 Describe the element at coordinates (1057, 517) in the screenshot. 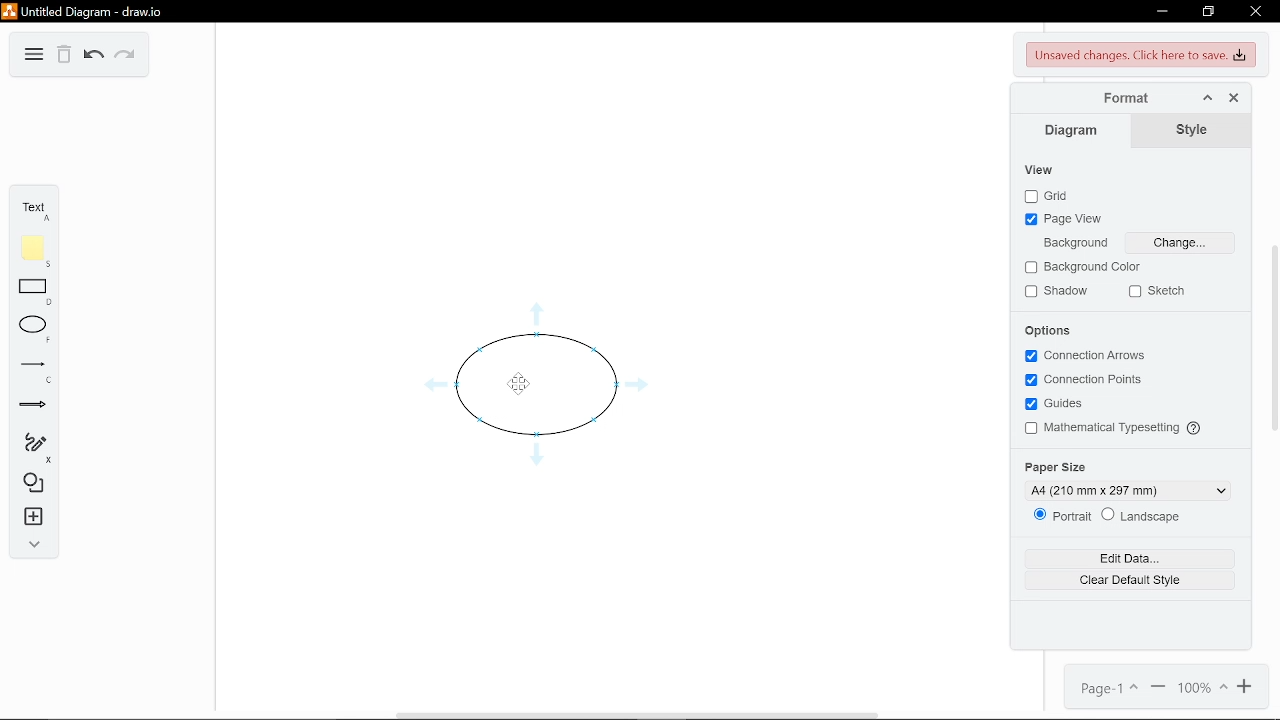

I see `Potrait` at that location.